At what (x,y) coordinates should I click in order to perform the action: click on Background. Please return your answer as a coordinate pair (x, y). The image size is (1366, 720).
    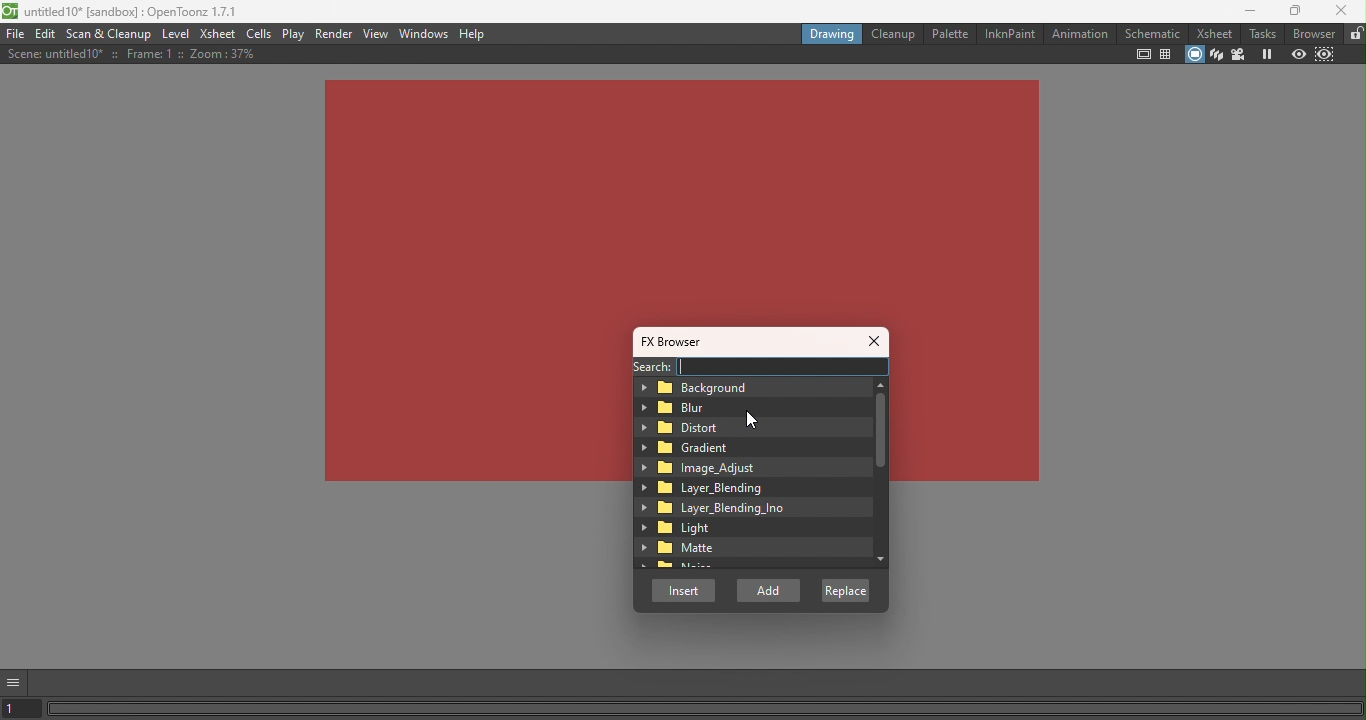
    Looking at the image, I should click on (707, 387).